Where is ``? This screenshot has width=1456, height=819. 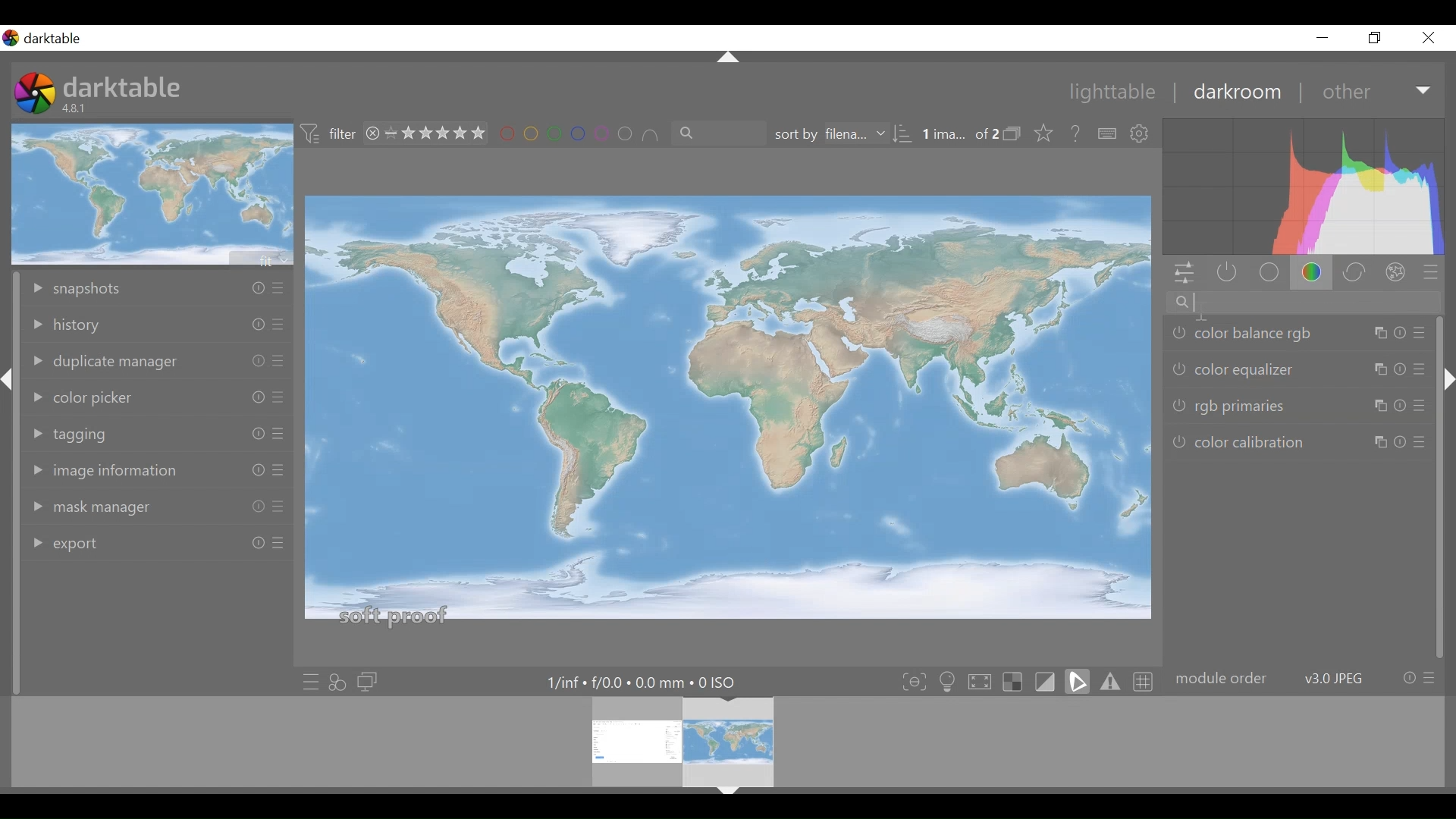
 is located at coordinates (8, 391).